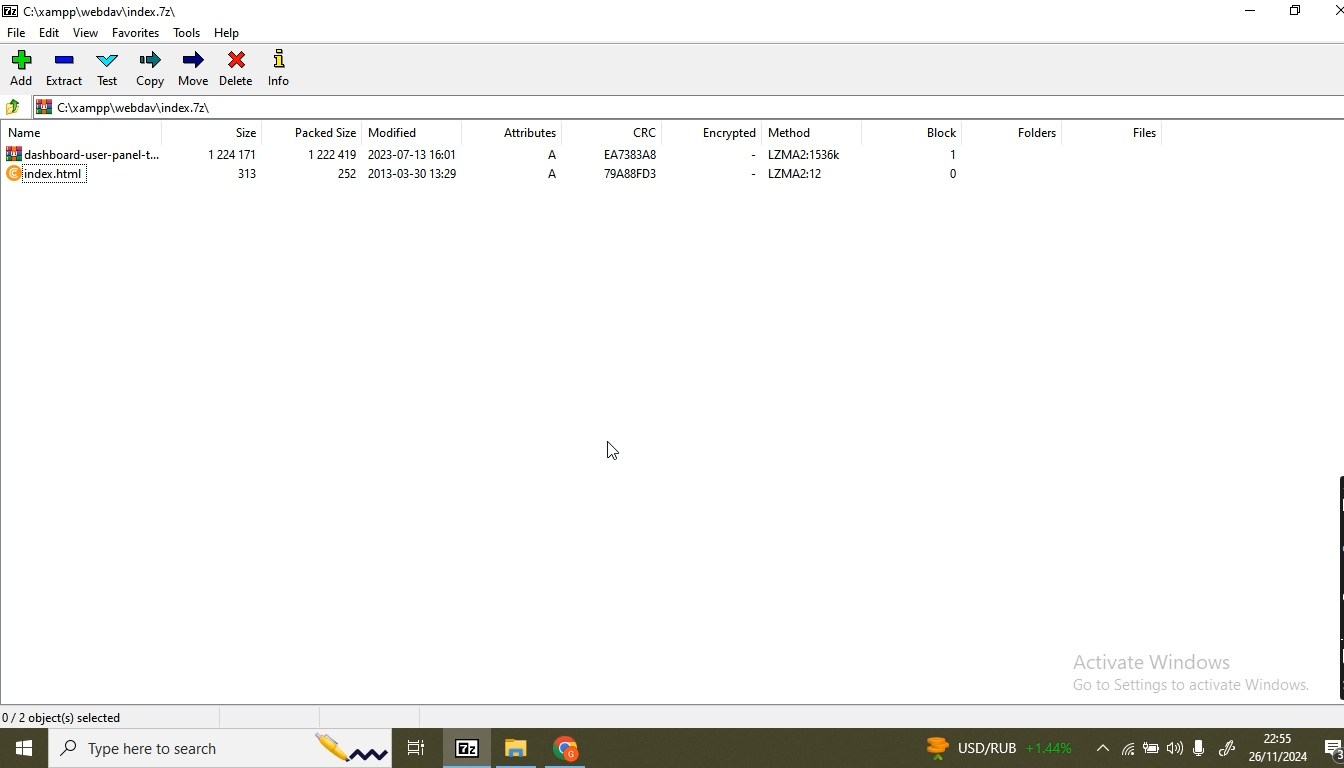 This screenshot has width=1344, height=768. Describe the element at coordinates (623, 154) in the screenshot. I see `ea7383a8` at that location.